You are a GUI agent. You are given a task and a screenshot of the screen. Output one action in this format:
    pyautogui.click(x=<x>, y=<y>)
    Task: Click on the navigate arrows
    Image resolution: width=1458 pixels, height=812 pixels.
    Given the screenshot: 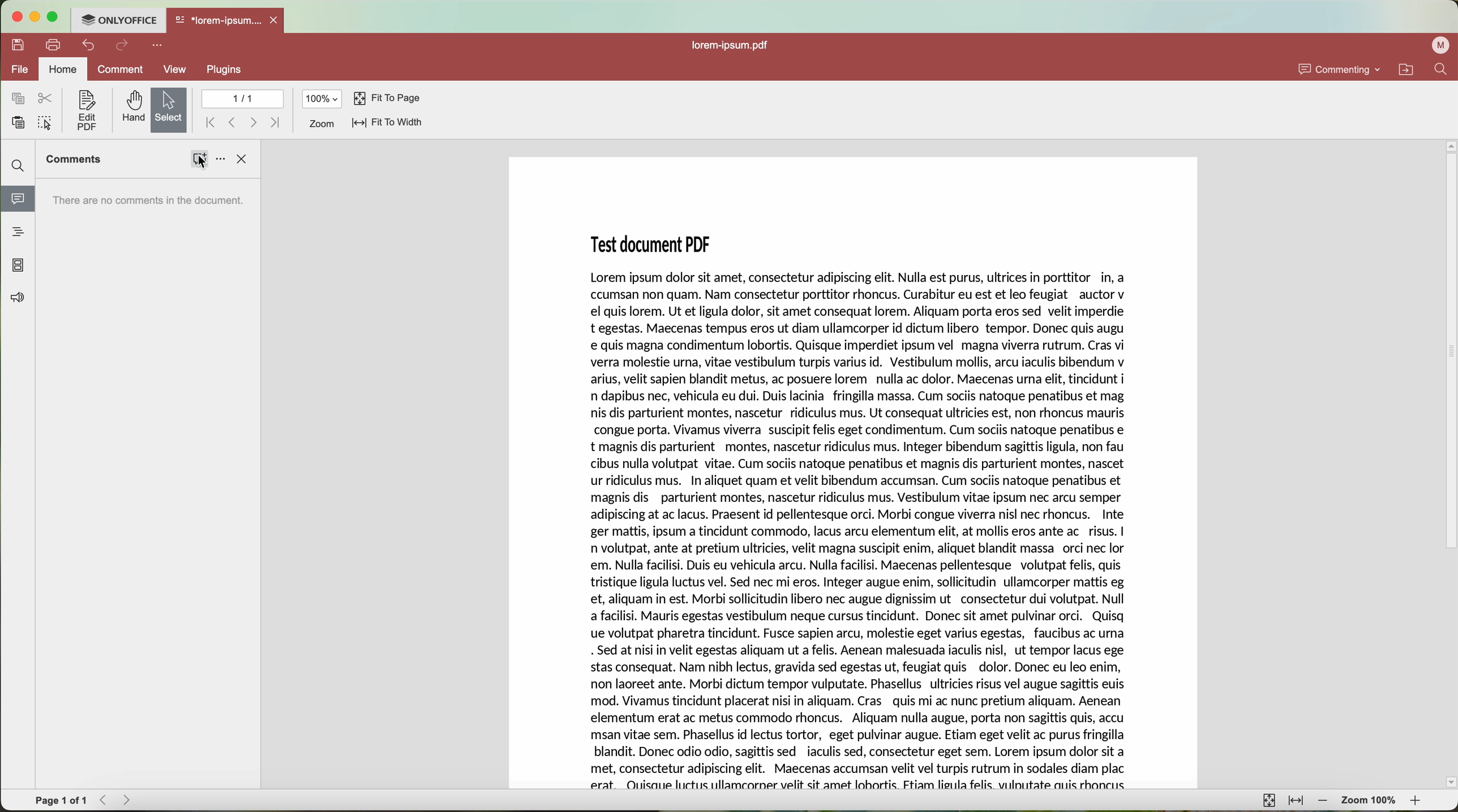 What is the action you would take?
    pyautogui.click(x=117, y=801)
    